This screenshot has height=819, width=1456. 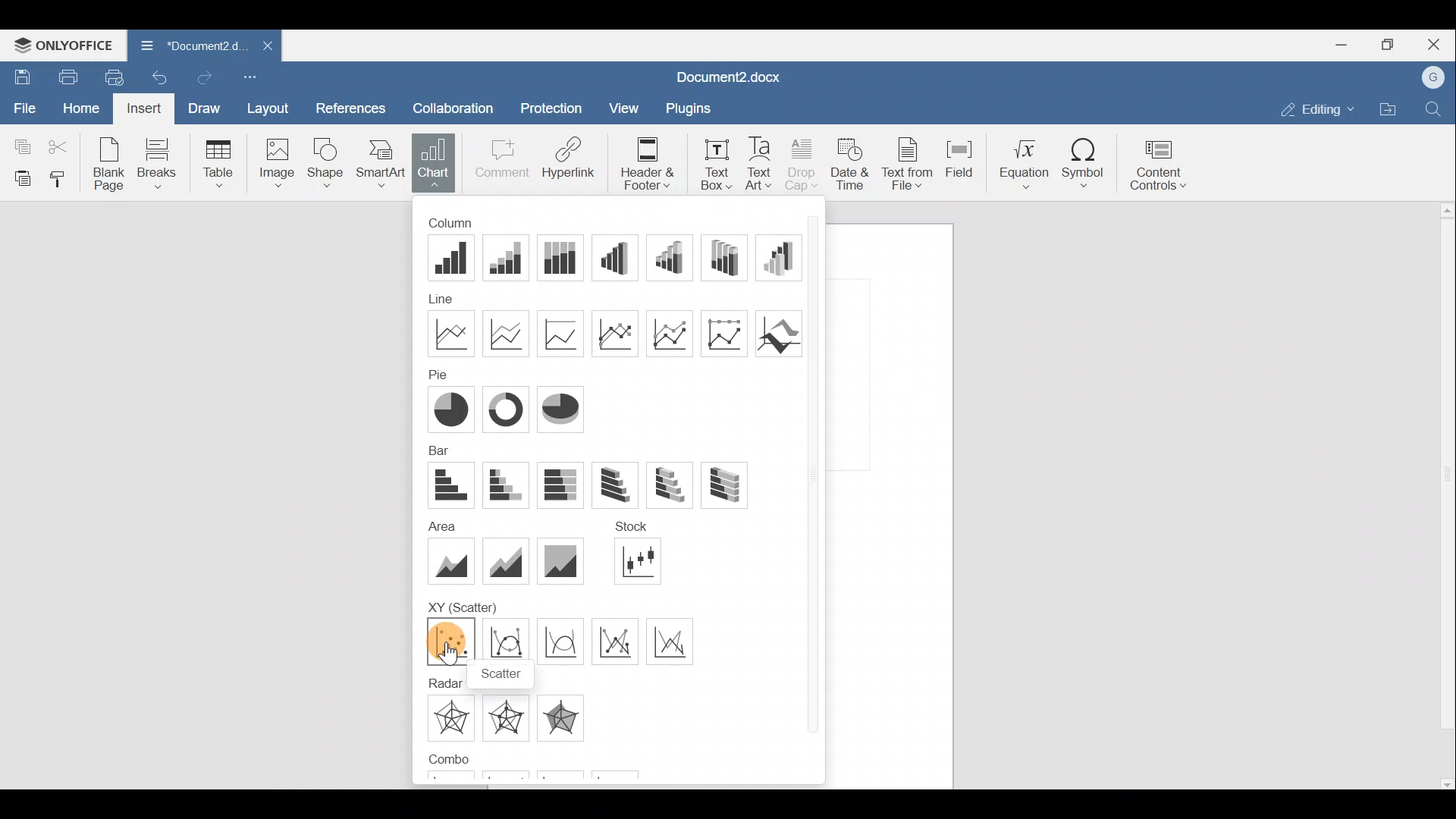 I want to click on Pie, so click(x=449, y=407).